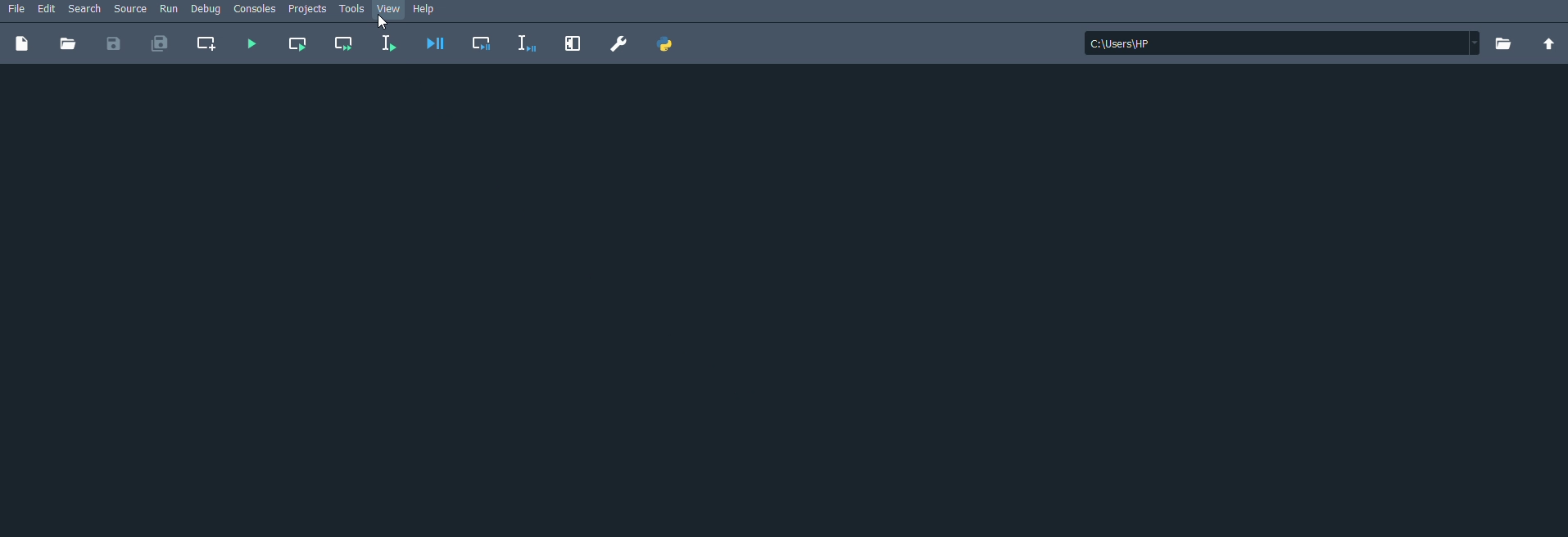 The width and height of the screenshot is (1568, 537). I want to click on Run current cell and go to the next one, so click(342, 43).